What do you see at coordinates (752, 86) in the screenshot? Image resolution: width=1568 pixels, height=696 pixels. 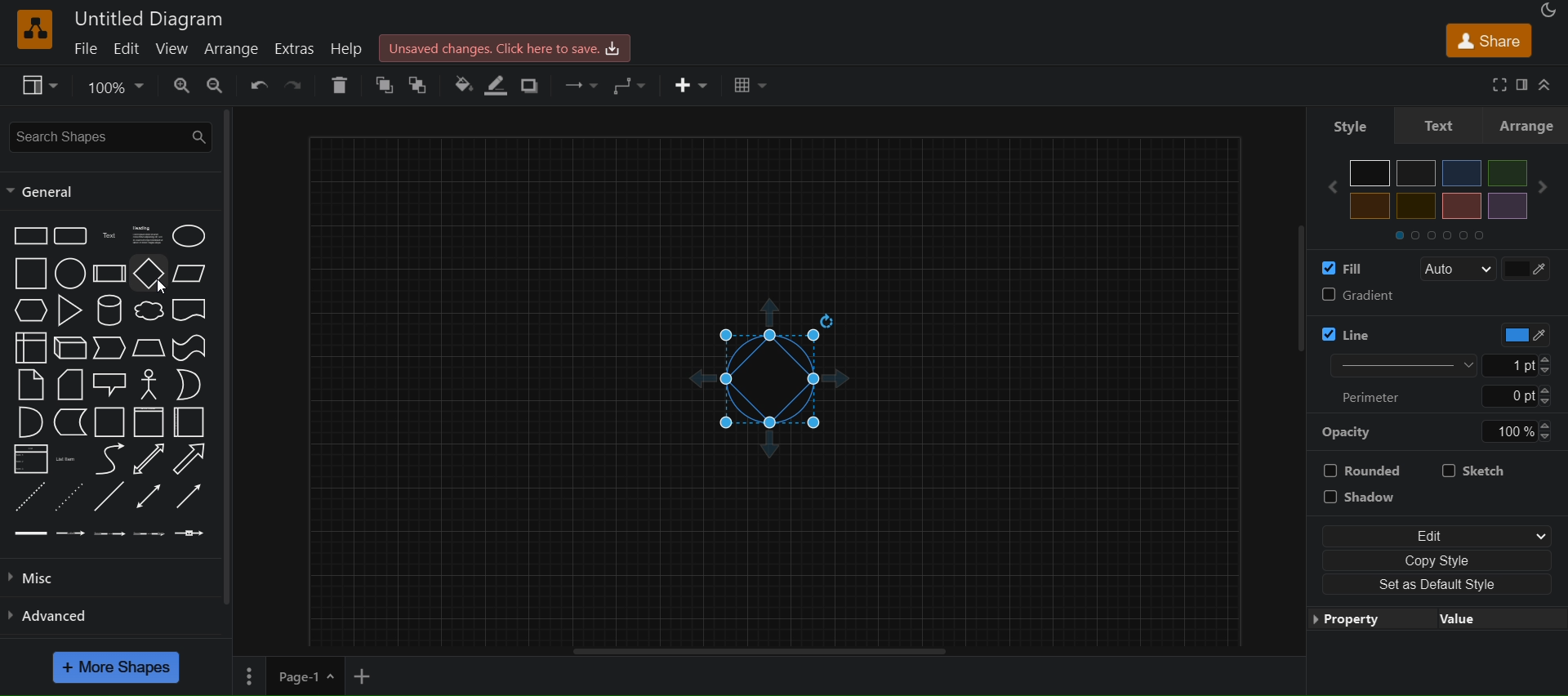 I see `table` at bounding box center [752, 86].